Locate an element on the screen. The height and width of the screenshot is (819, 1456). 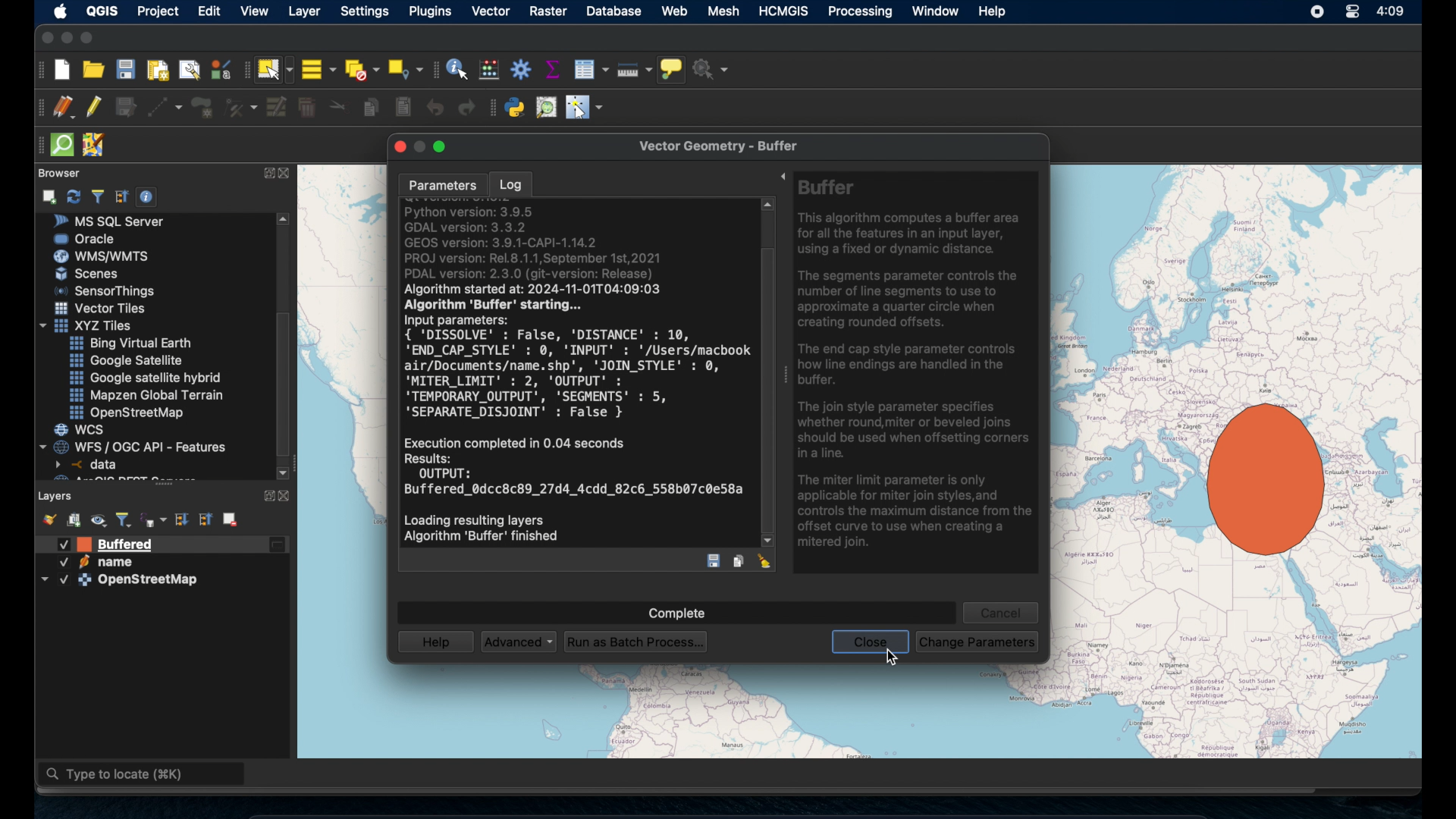
hidden text is located at coordinates (112, 478).